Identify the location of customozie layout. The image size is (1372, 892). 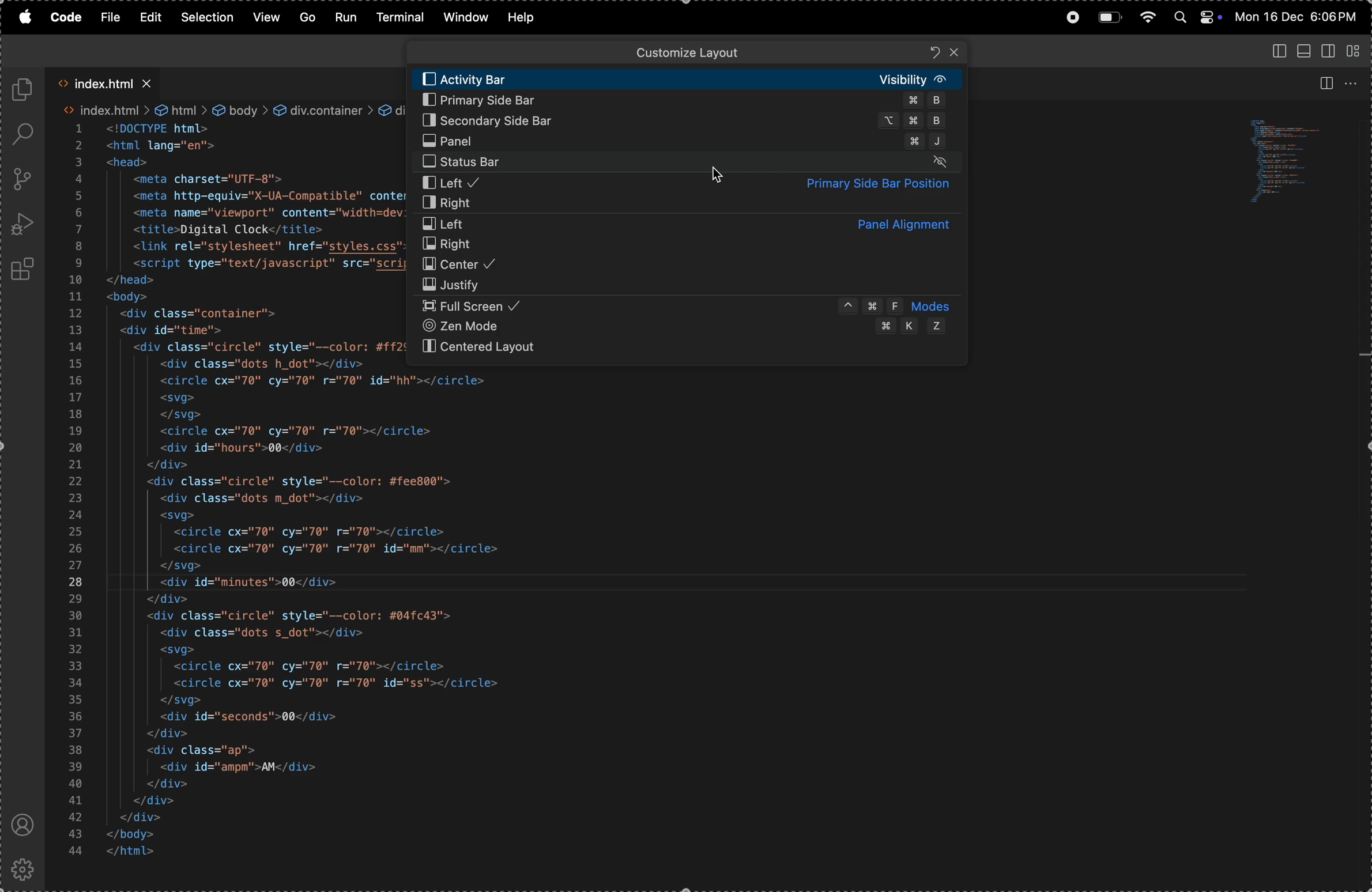
(1354, 50).